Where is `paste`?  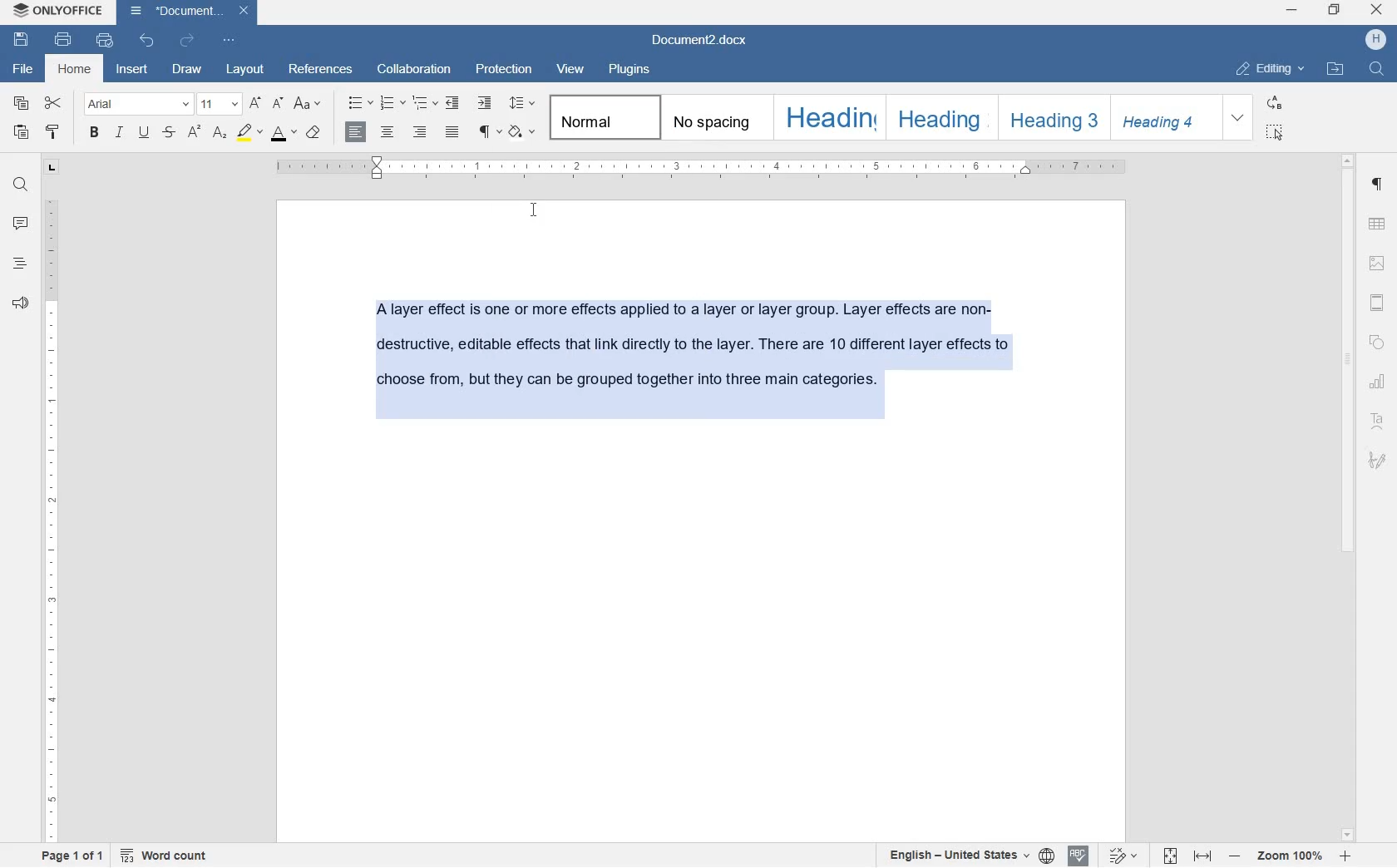 paste is located at coordinates (23, 133).